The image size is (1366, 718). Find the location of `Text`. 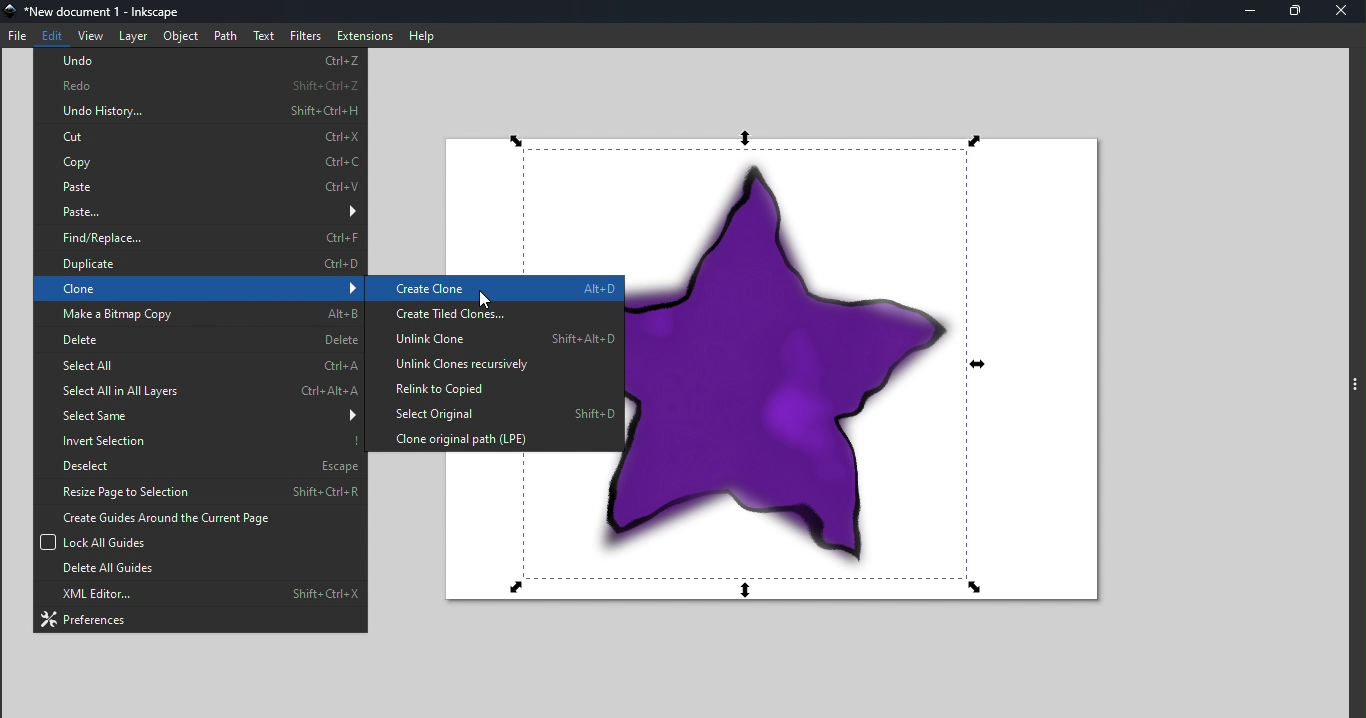

Text is located at coordinates (265, 35).